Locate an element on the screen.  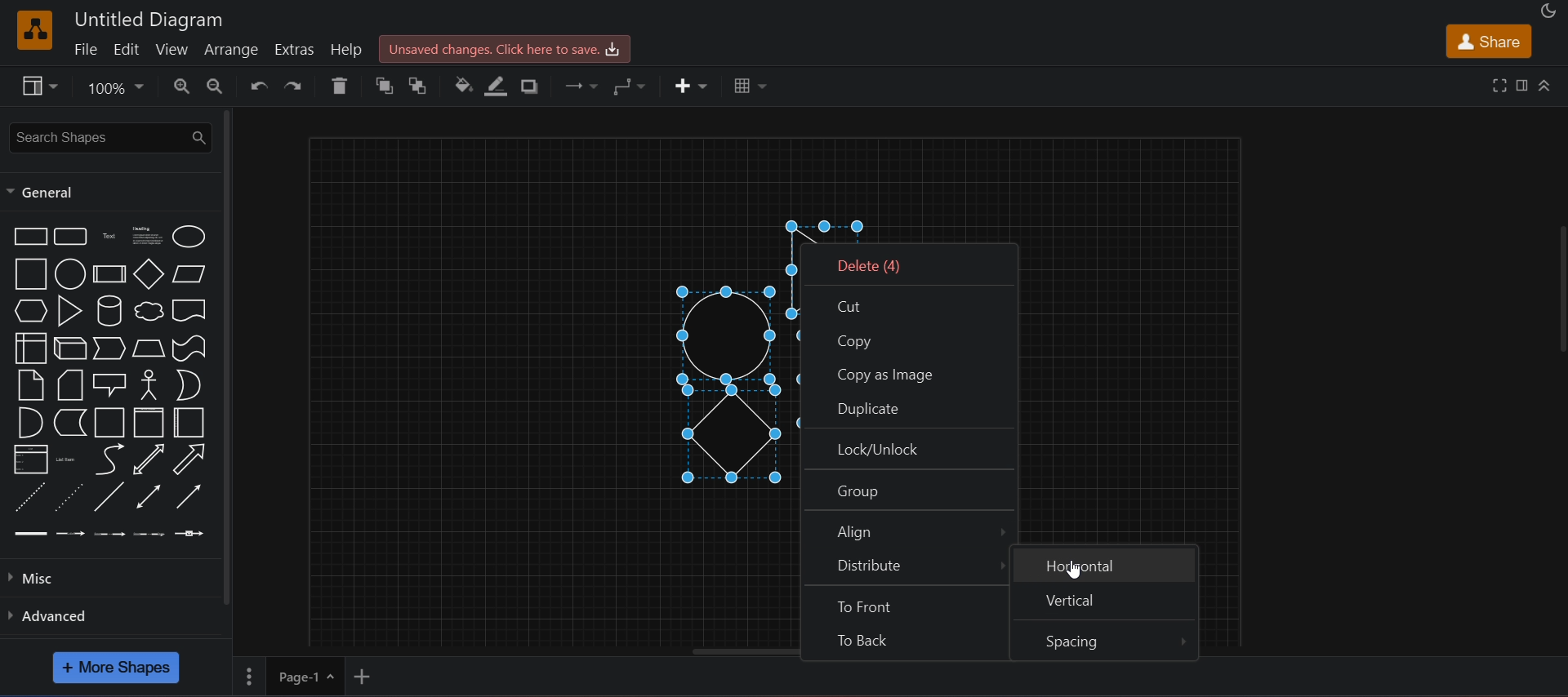
untitled diagram is located at coordinates (150, 18).